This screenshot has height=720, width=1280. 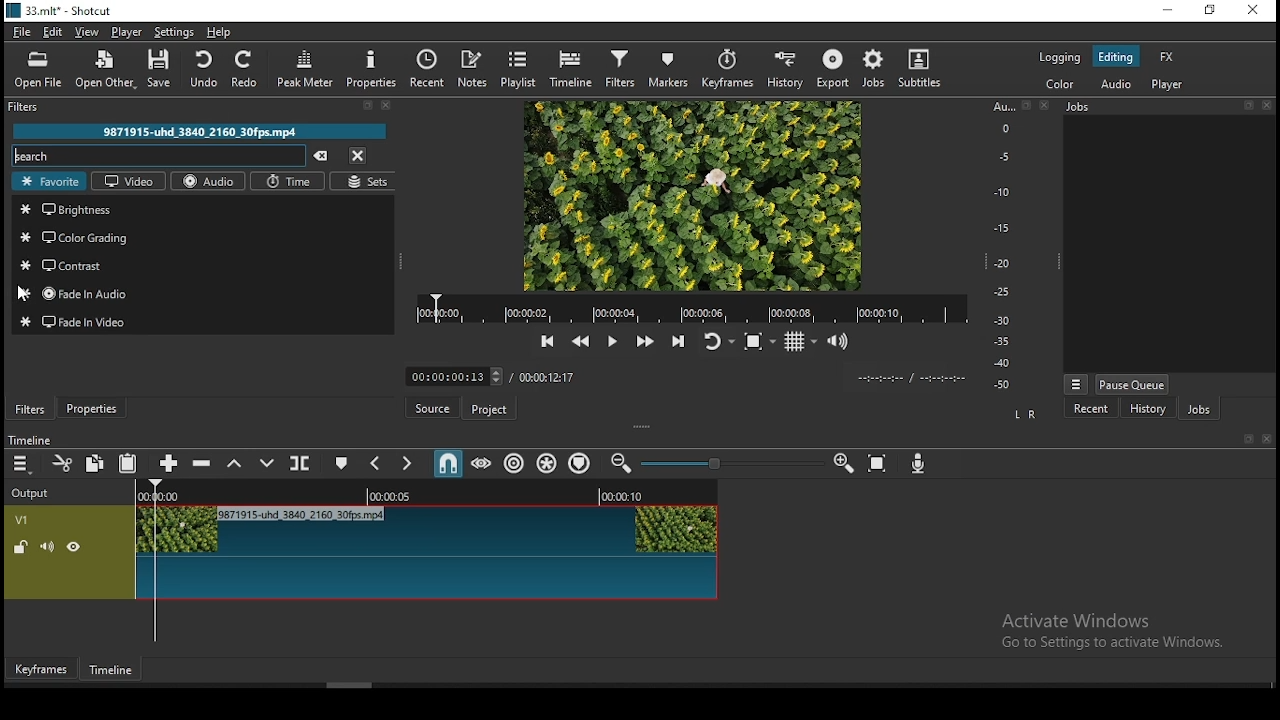 What do you see at coordinates (439, 408) in the screenshot?
I see `source` at bounding box center [439, 408].